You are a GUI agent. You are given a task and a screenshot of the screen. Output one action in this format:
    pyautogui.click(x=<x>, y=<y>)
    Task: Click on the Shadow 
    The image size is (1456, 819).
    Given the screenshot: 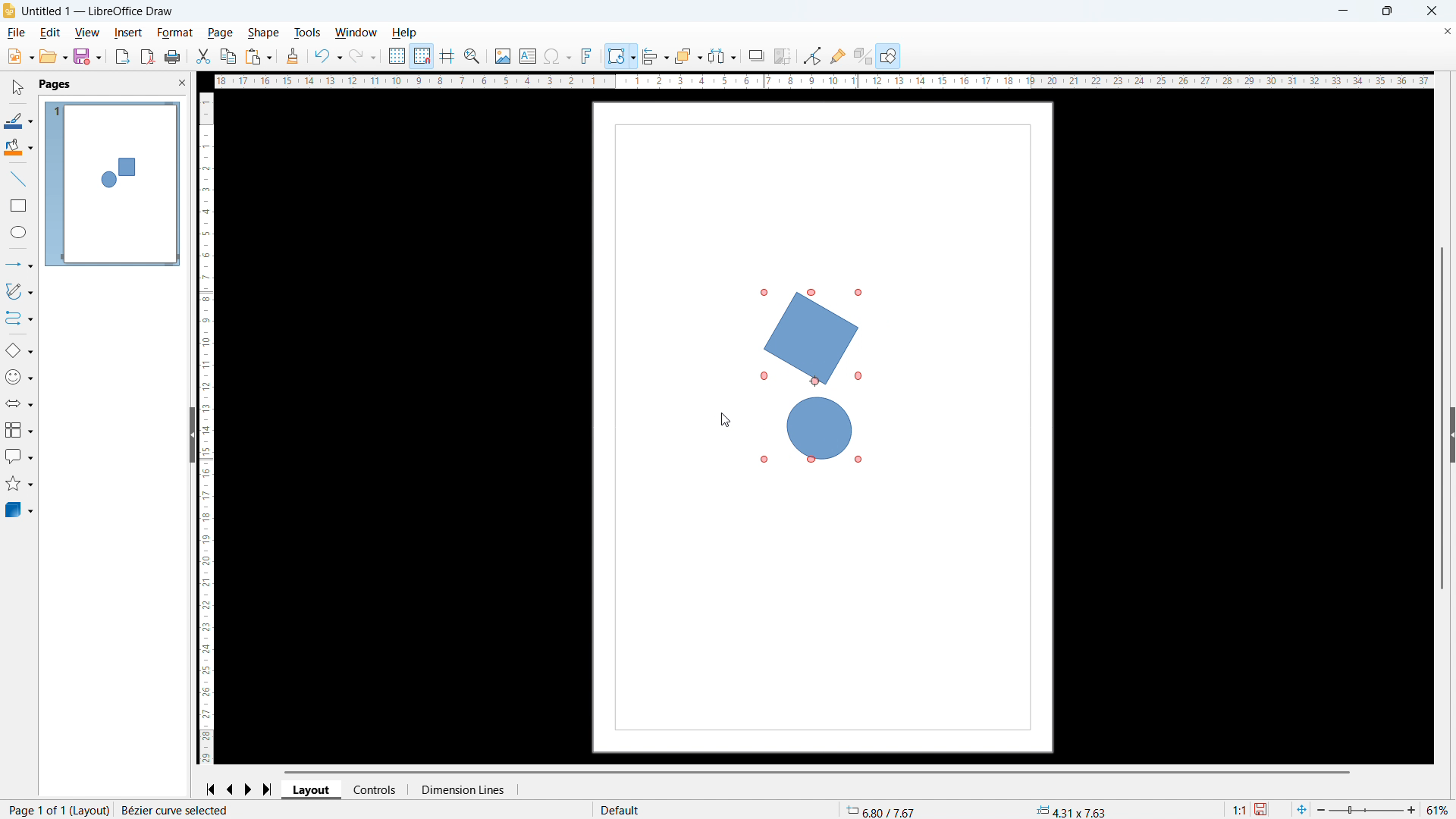 What is the action you would take?
    pyautogui.click(x=756, y=55)
    